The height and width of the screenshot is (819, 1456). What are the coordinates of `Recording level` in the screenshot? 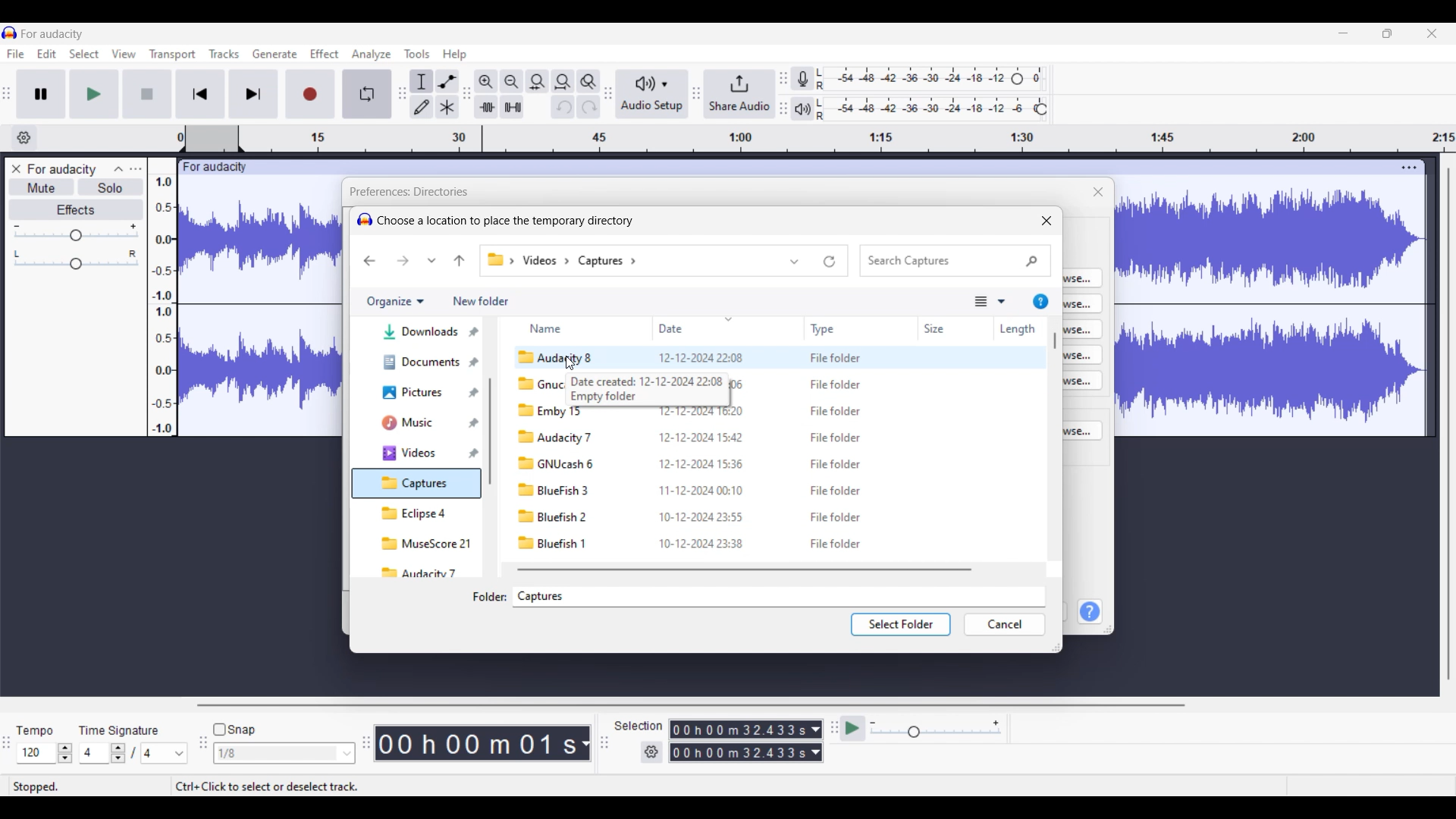 It's located at (912, 79).